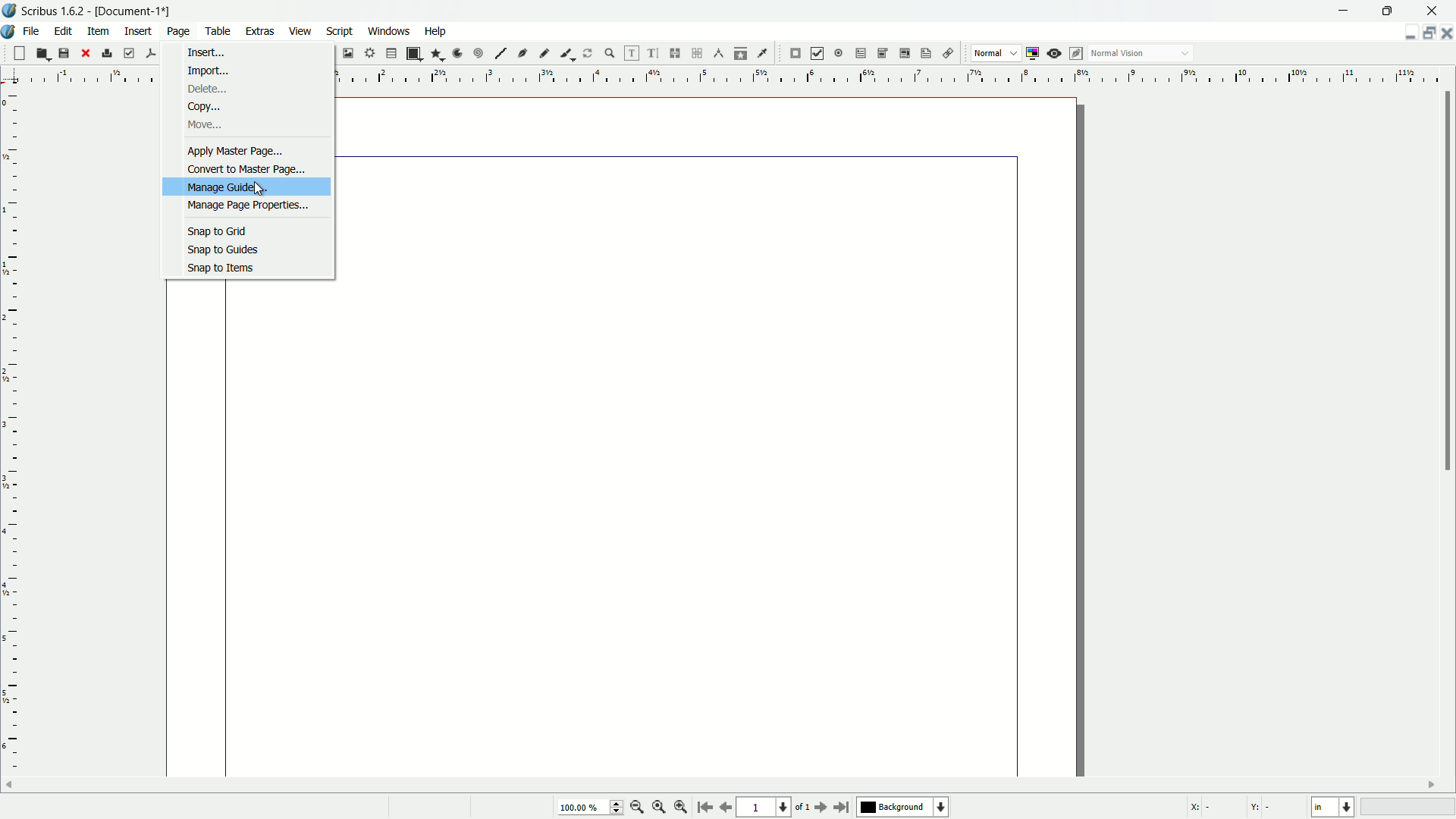 Image resolution: width=1456 pixels, height=819 pixels. What do you see at coordinates (53, 12) in the screenshot?
I see `app name` at bounding box center [53, 12].